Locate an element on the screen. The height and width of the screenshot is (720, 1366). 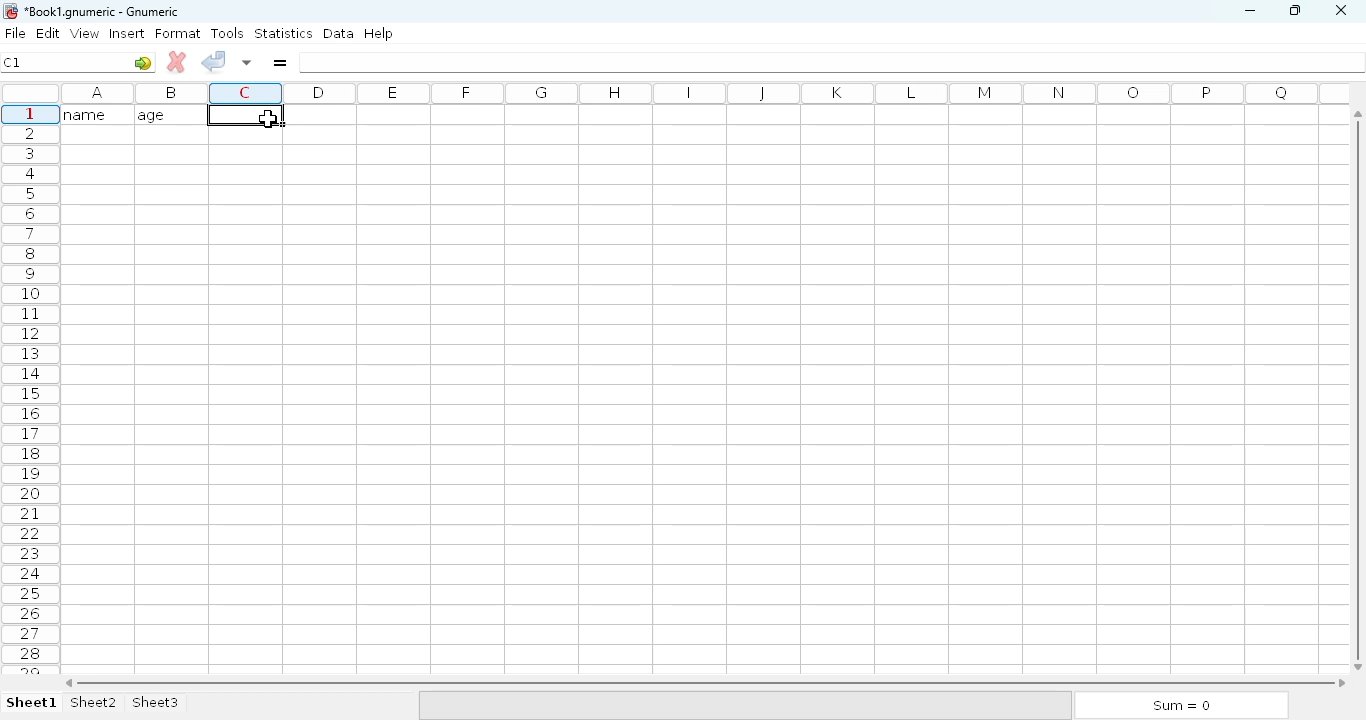
C1 is located at coordinates (12, 62).